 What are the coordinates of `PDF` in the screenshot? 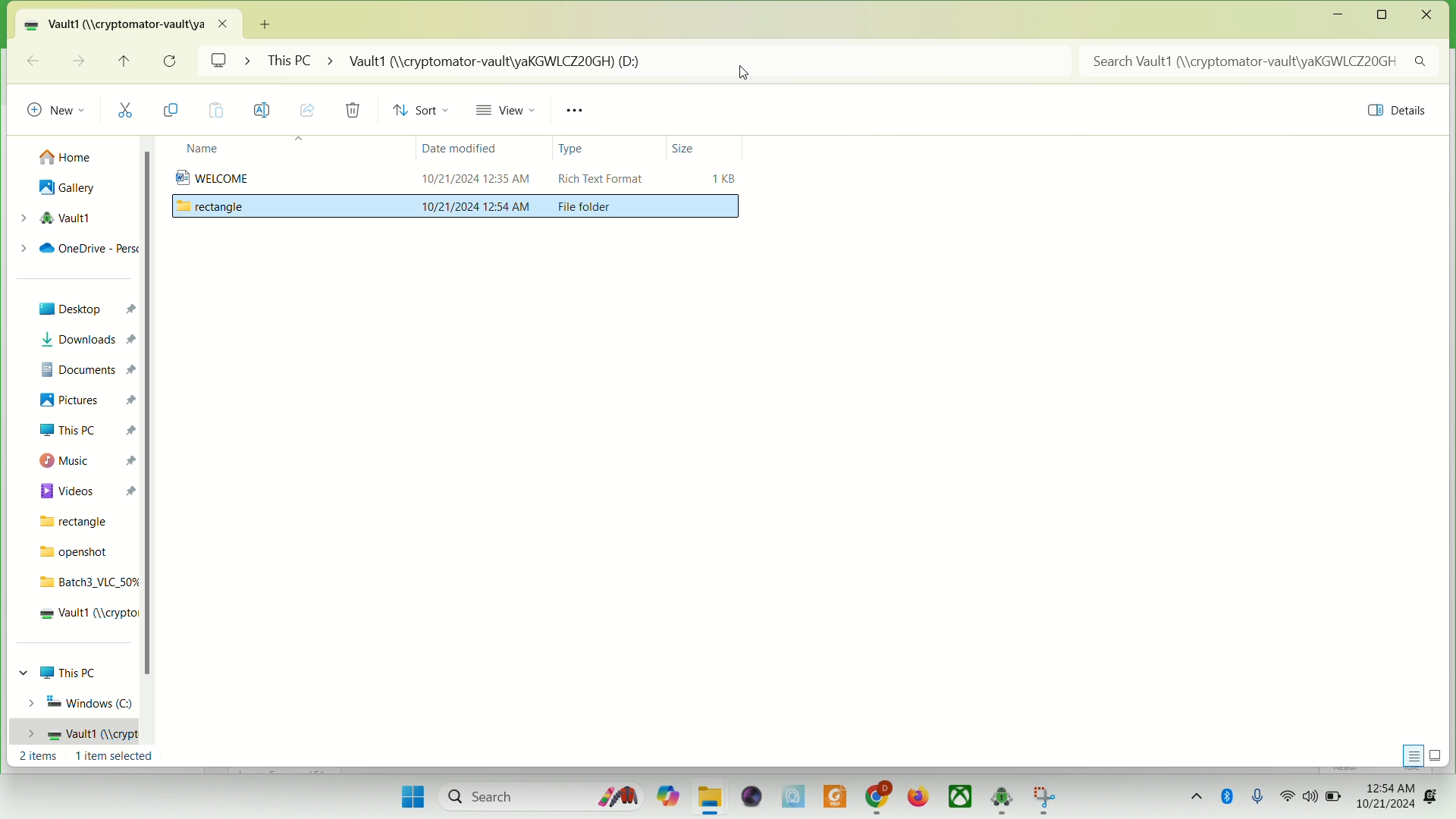 It's located at (833, 795).